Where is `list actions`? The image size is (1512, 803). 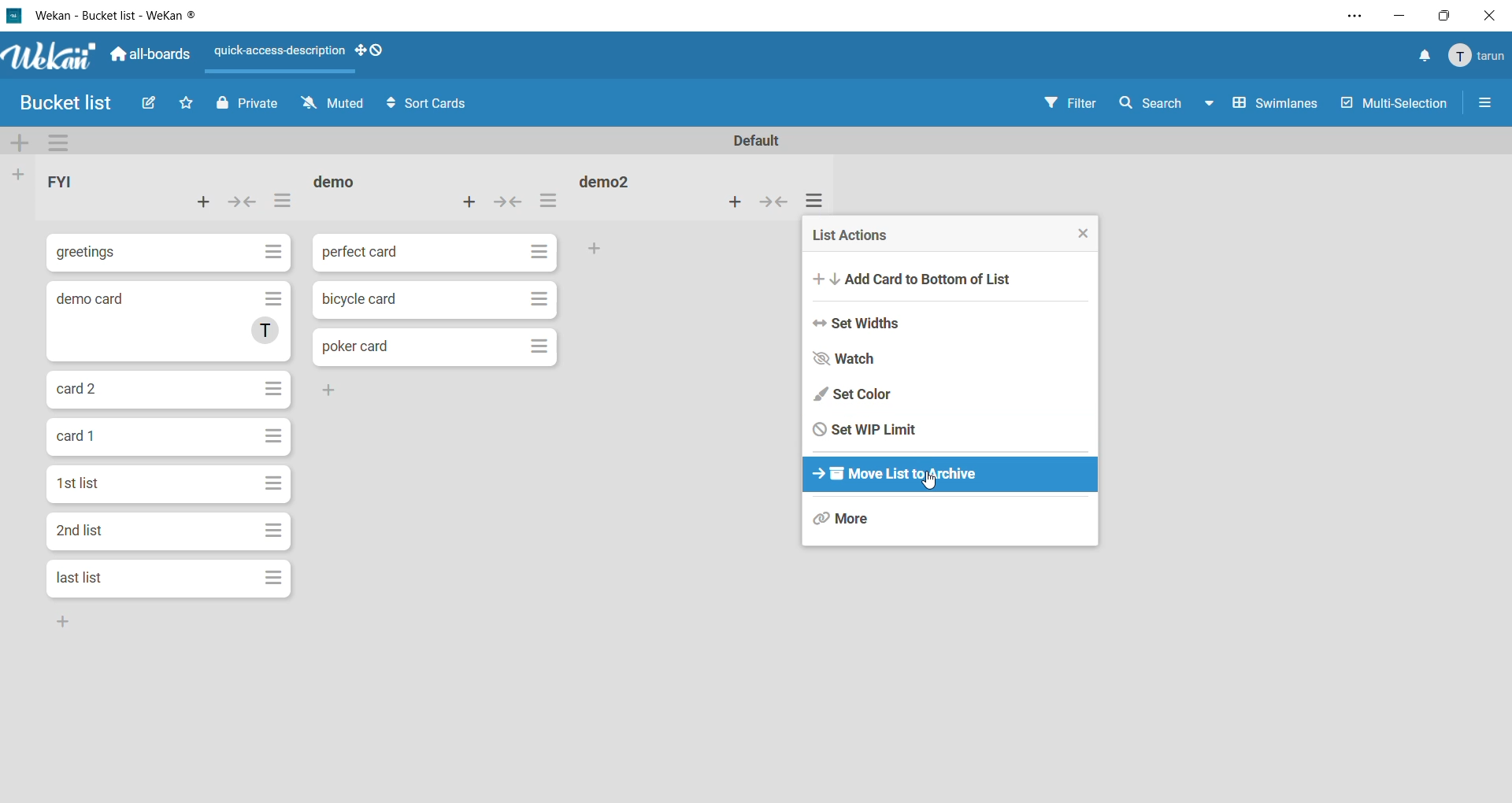 list actions is located at coordinates (554, 202).